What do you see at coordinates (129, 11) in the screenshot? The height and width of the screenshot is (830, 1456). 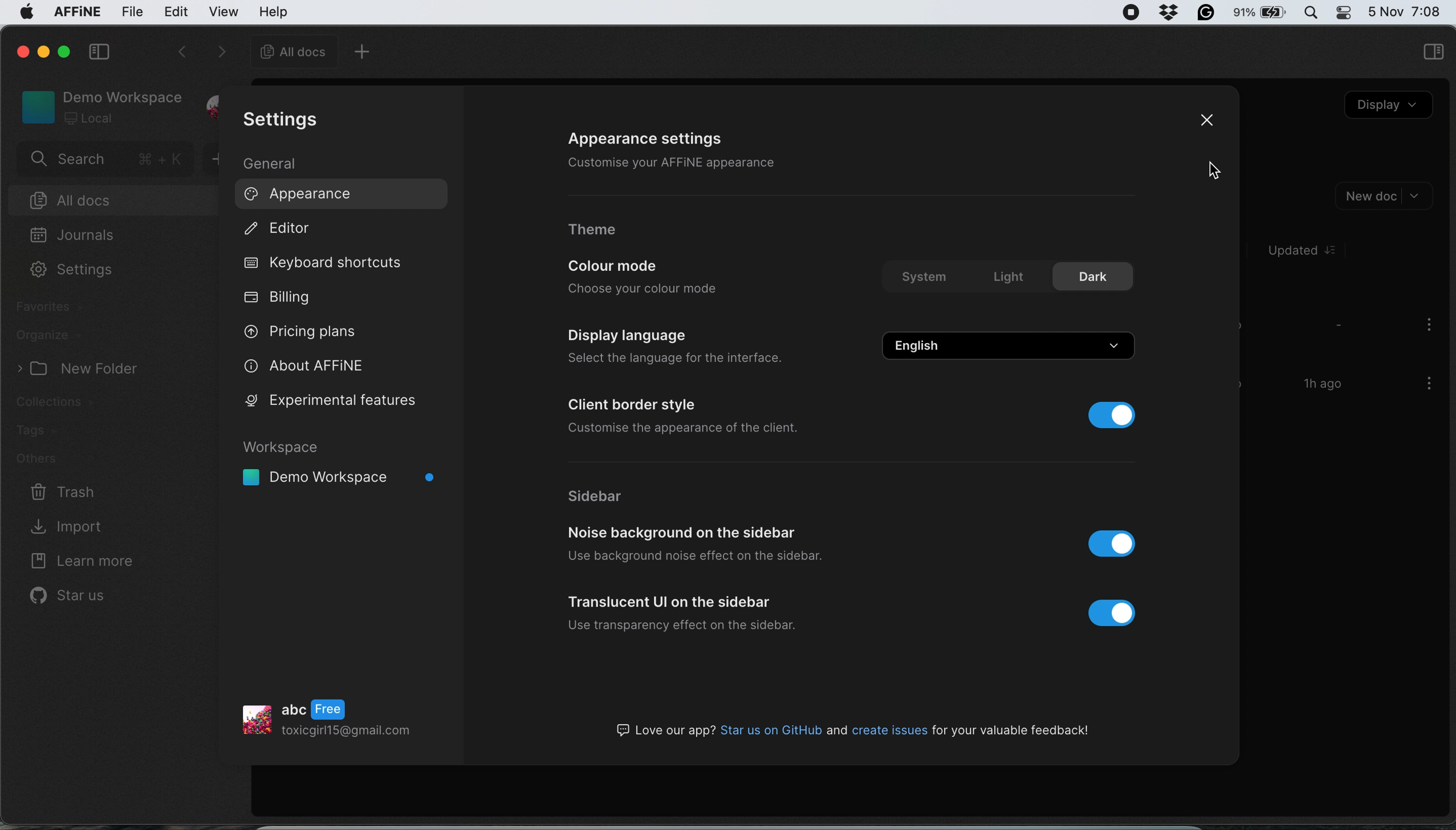 I see `file` at bounding box center [129, 11].